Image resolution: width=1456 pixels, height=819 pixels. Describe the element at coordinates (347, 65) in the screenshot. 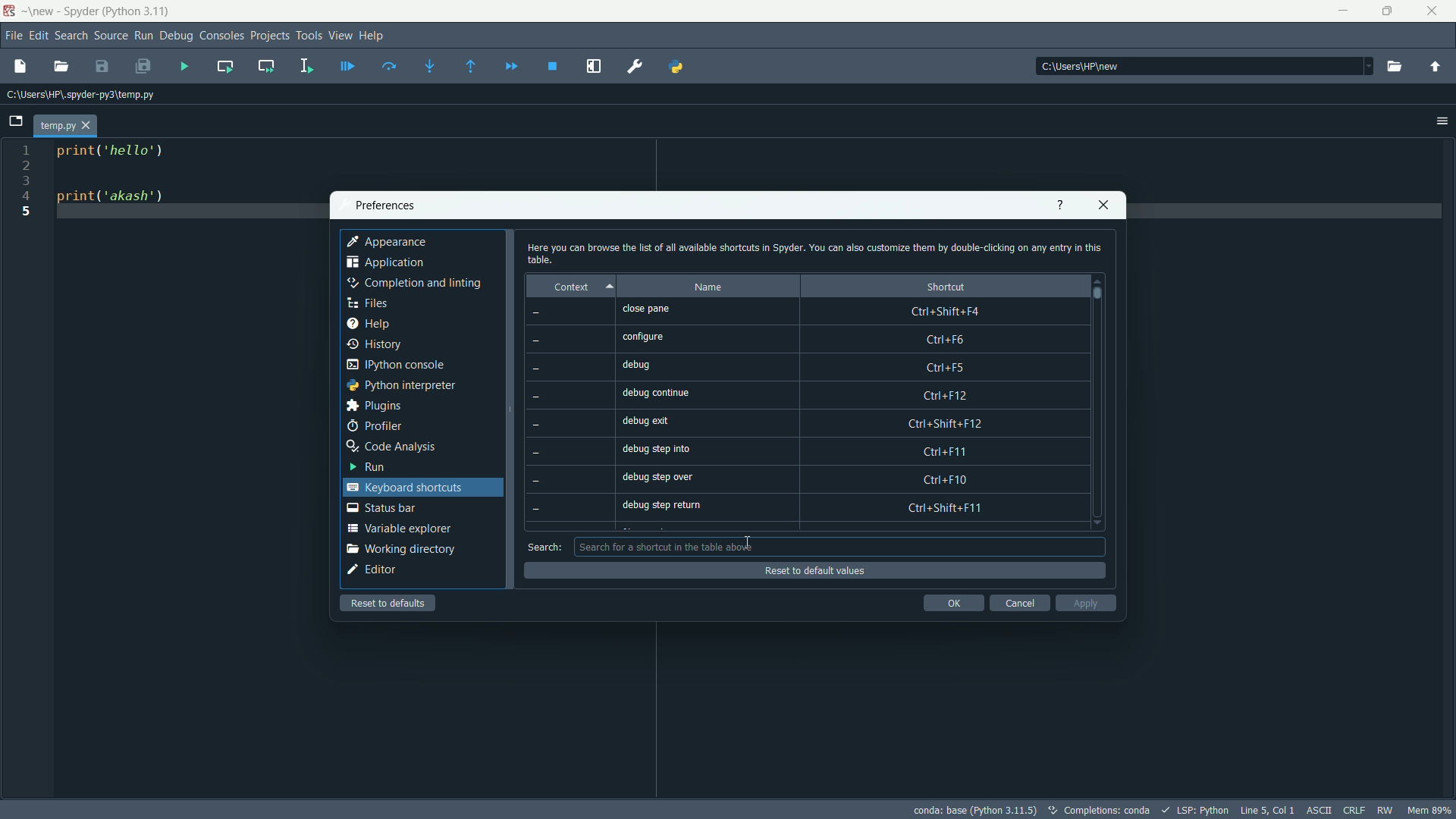

I see `debug file` at that location.